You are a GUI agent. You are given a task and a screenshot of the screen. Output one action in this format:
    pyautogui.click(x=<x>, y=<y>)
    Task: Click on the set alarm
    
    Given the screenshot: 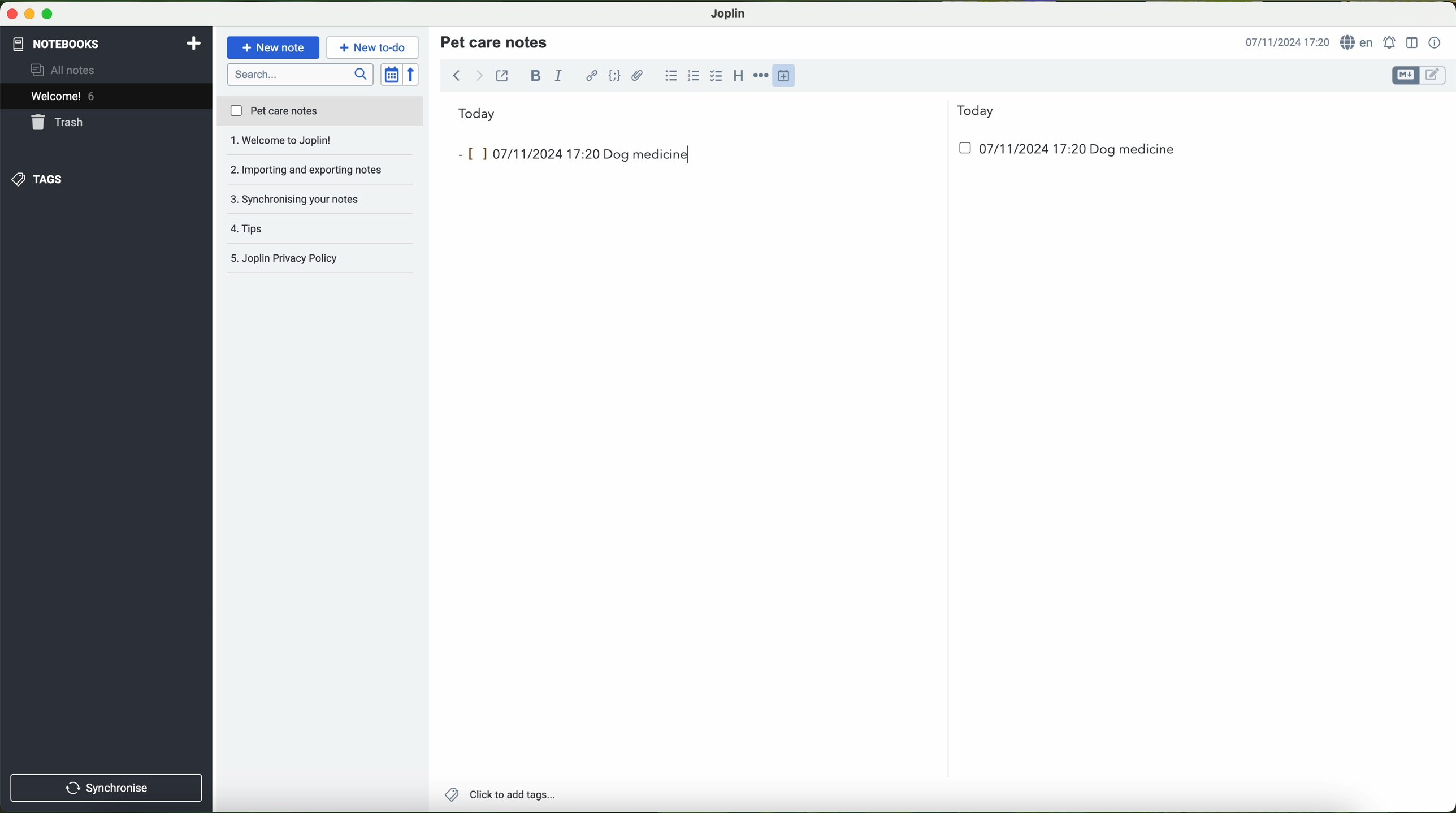 What is the action you would take?
    pyautogui.click(x=1391, y=42)
    